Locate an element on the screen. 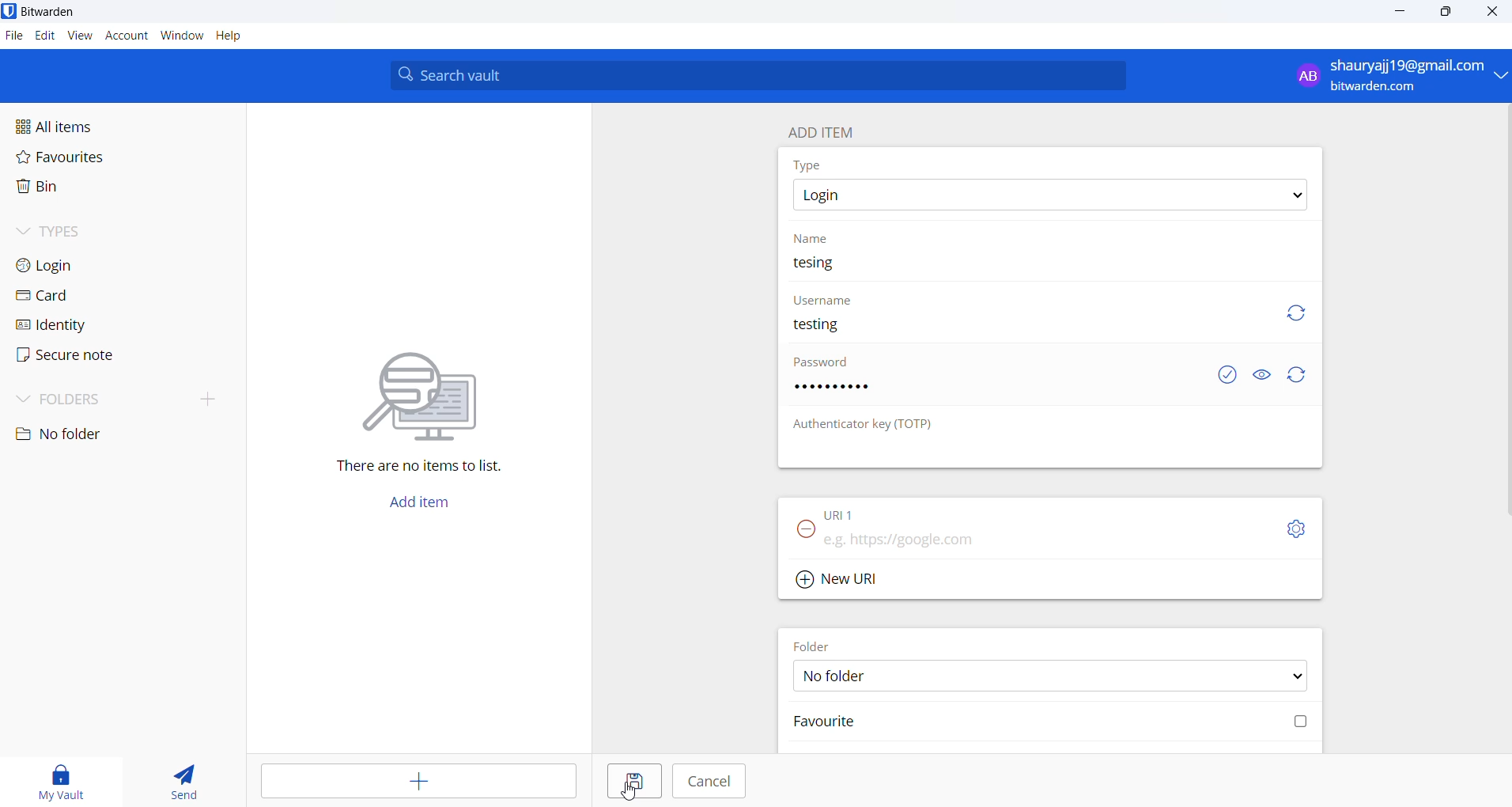 This screenshot has height=807, width=1512. maximize is located at coordinates (1447, 13).